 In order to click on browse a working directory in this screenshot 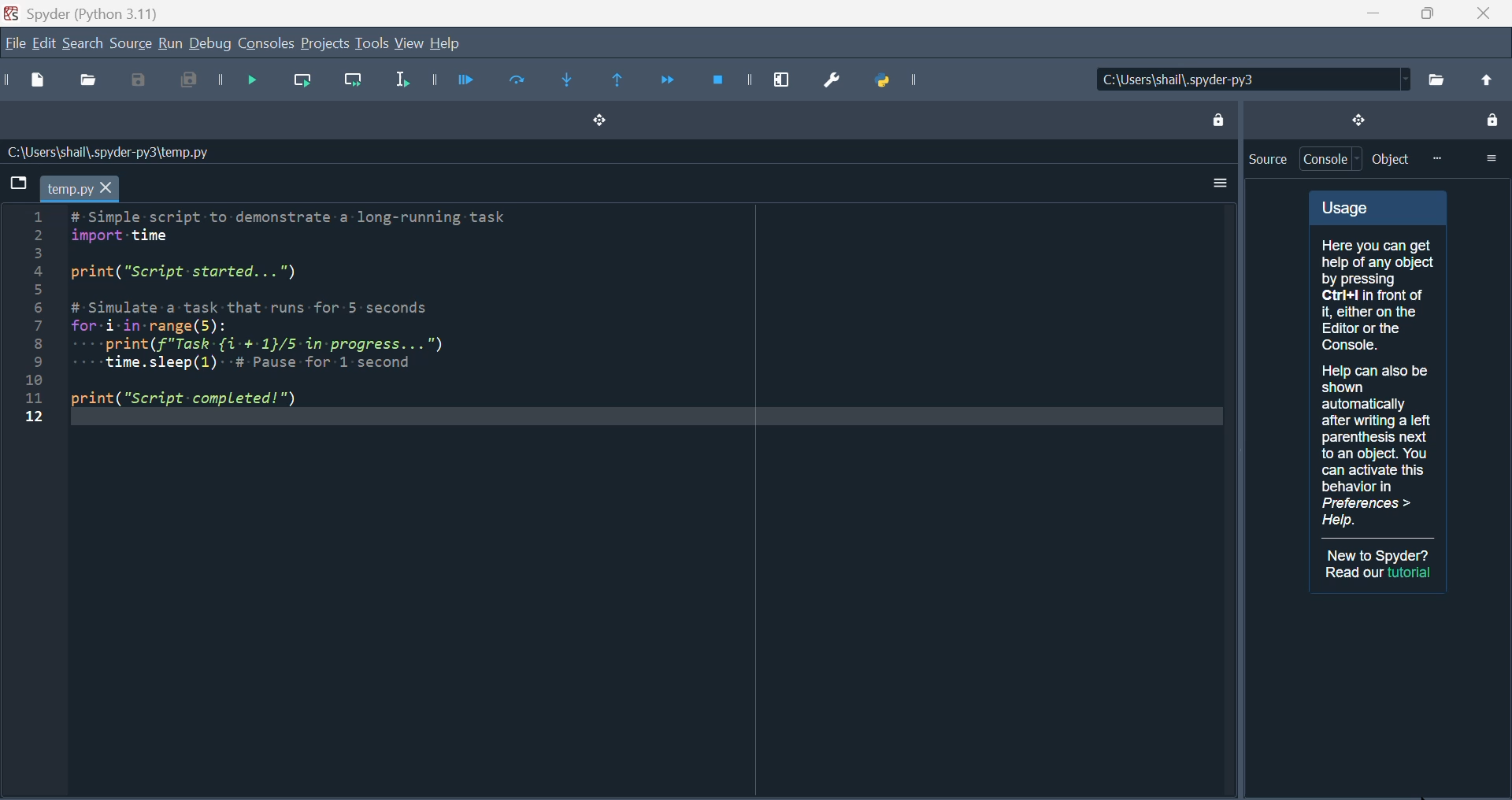, I will do `click(1436, 79)`.